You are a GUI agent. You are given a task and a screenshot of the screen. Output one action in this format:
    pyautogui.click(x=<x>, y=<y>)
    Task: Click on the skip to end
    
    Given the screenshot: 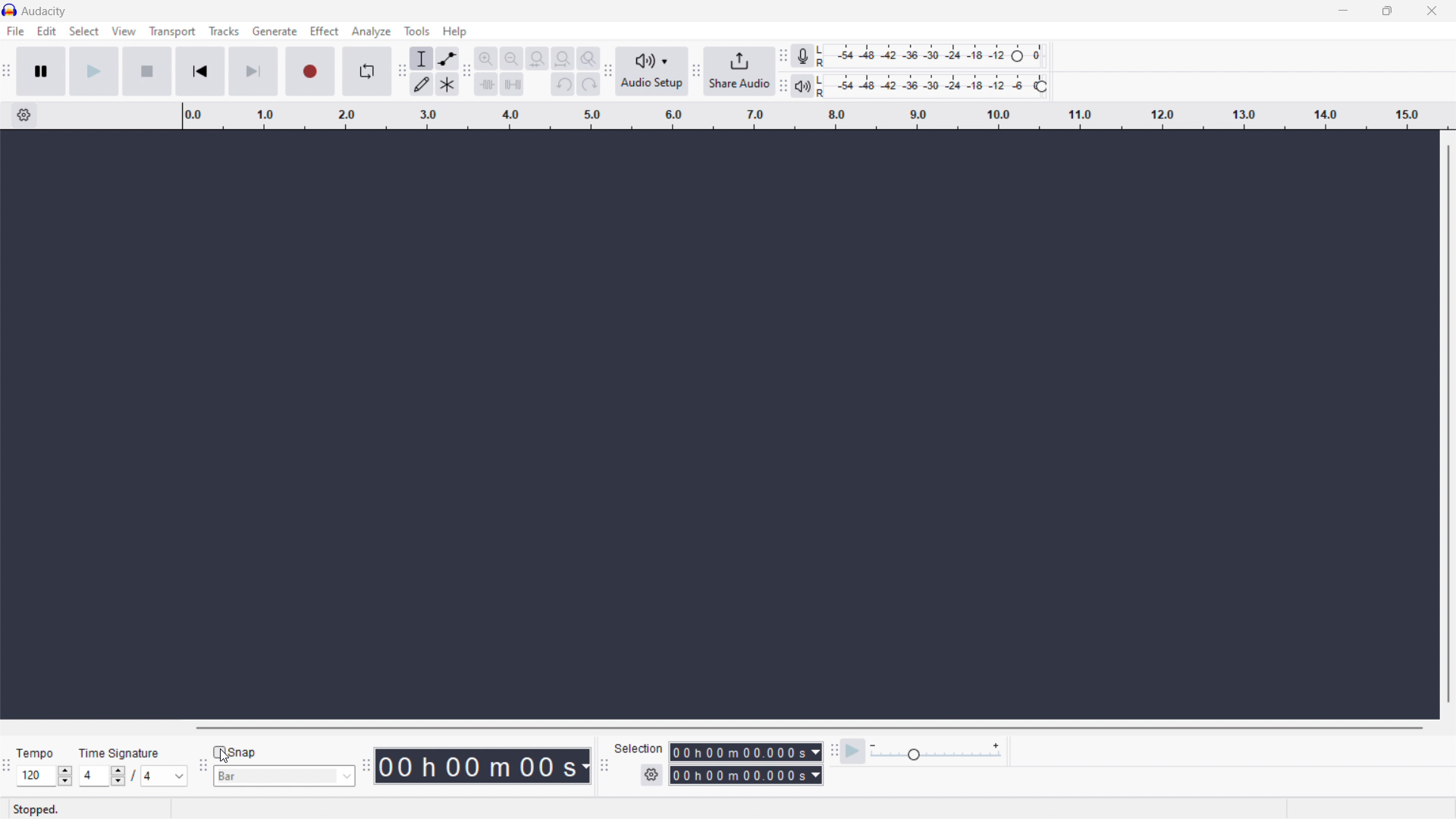 What is the action you would take?
    pyautogui.click(x=253, y=72)
    